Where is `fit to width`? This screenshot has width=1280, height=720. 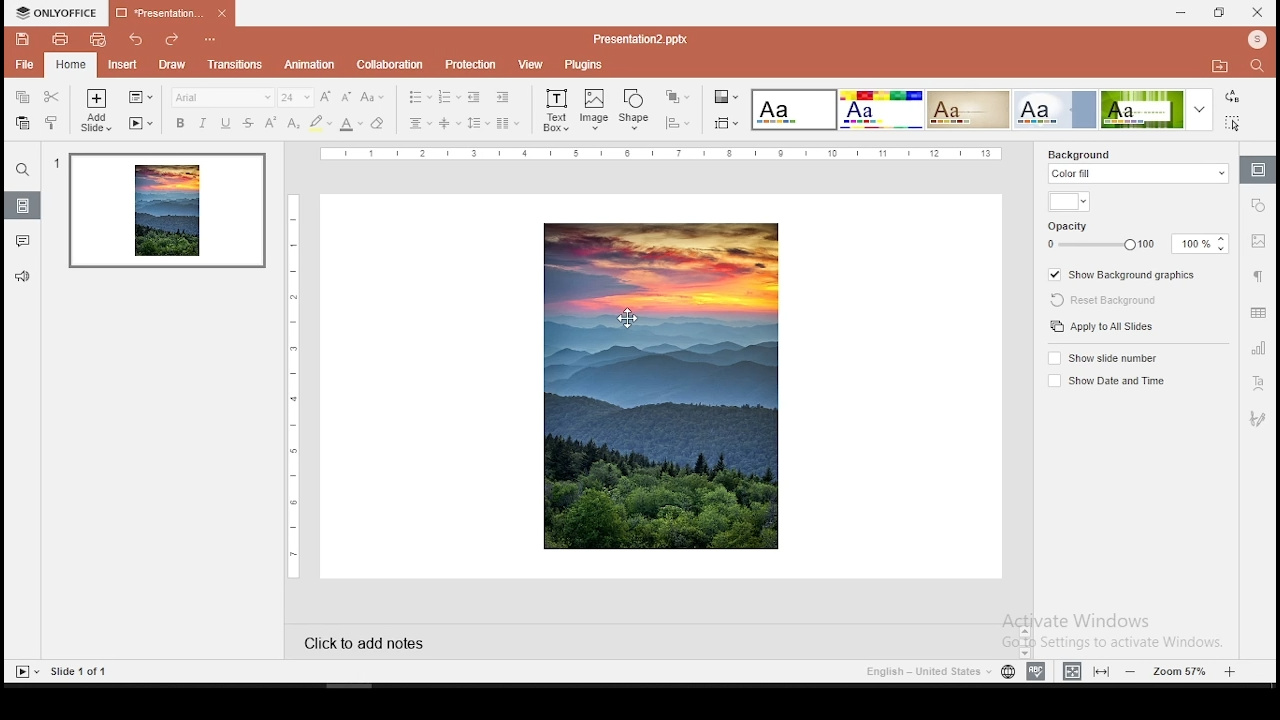
fit to width is located at coordinates (1070, 670).